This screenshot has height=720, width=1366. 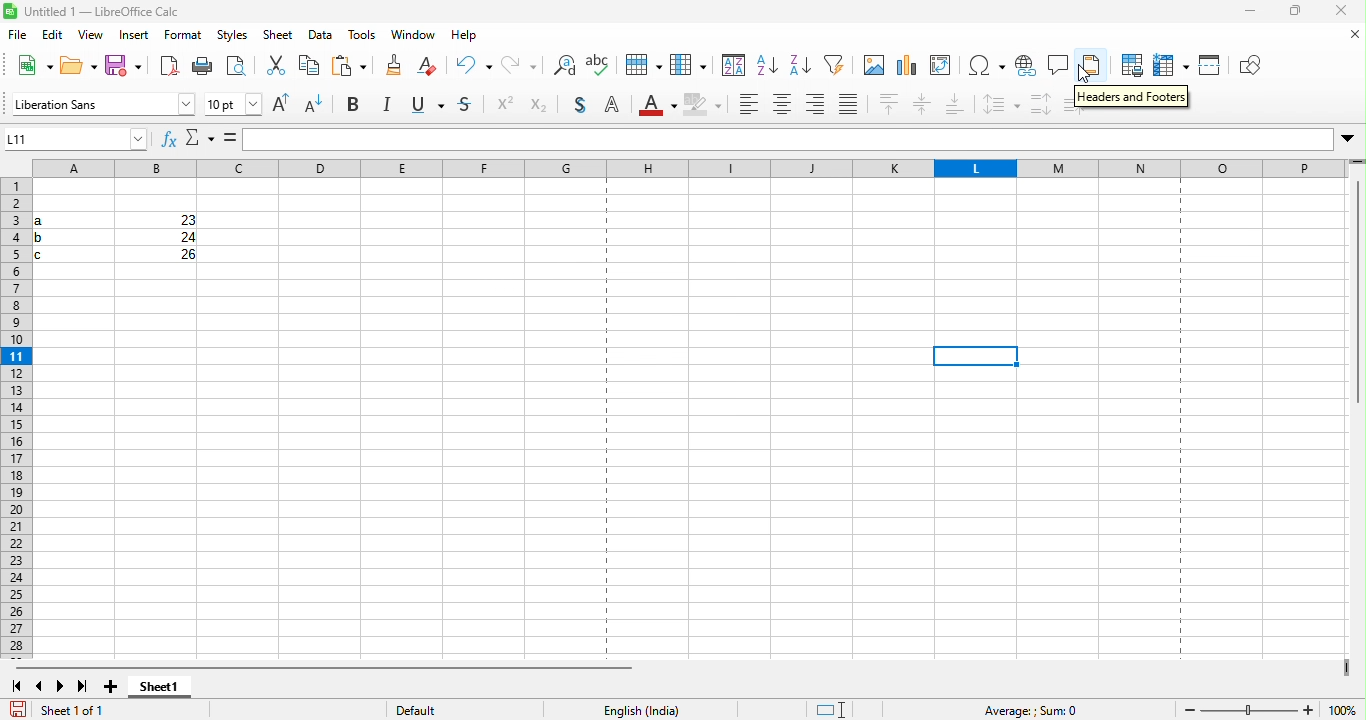 I want to click on align left, so click(x=748, y=106).